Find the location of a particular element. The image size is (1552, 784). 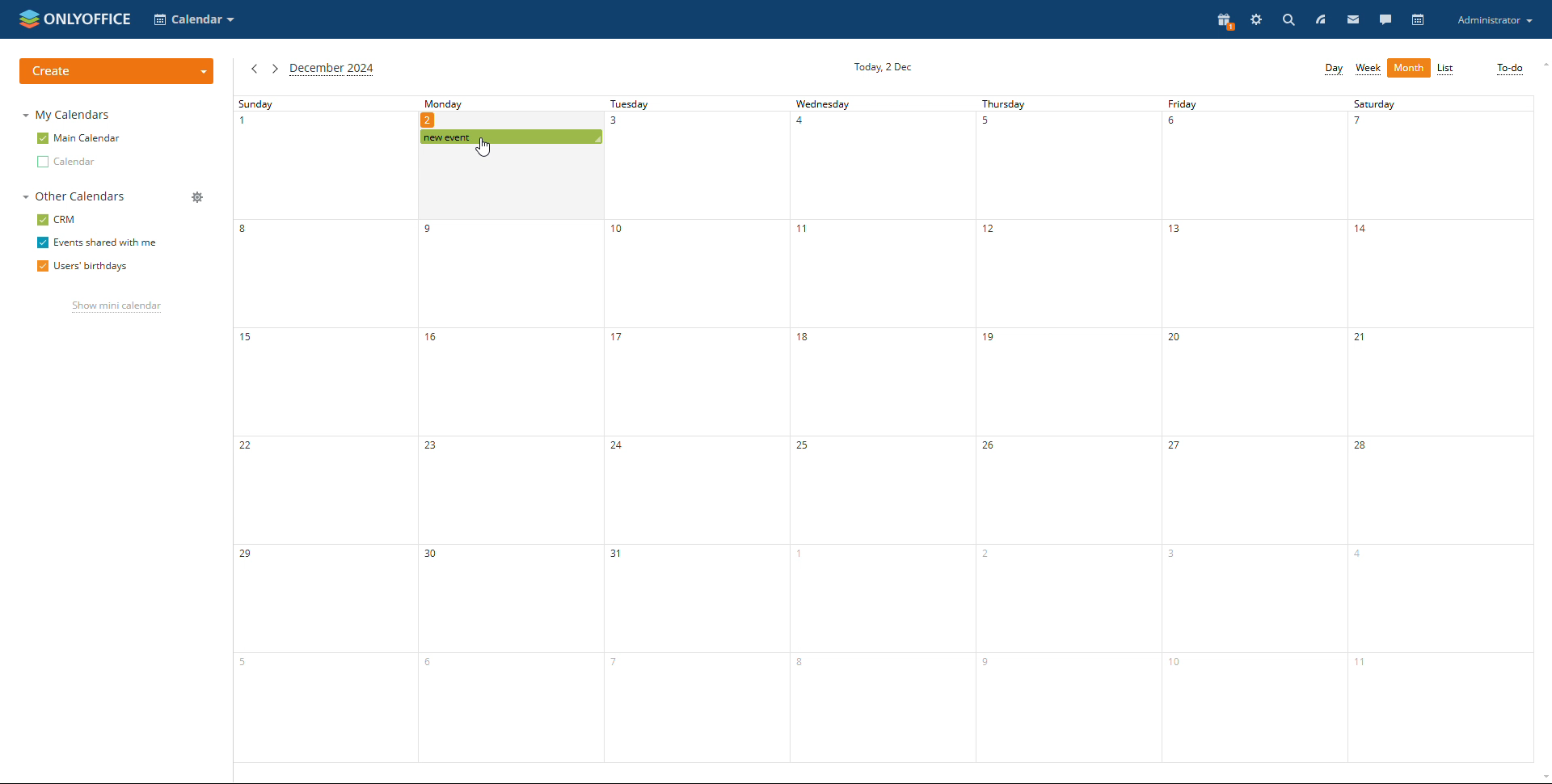

list view is located at coordinates (1447, 69).